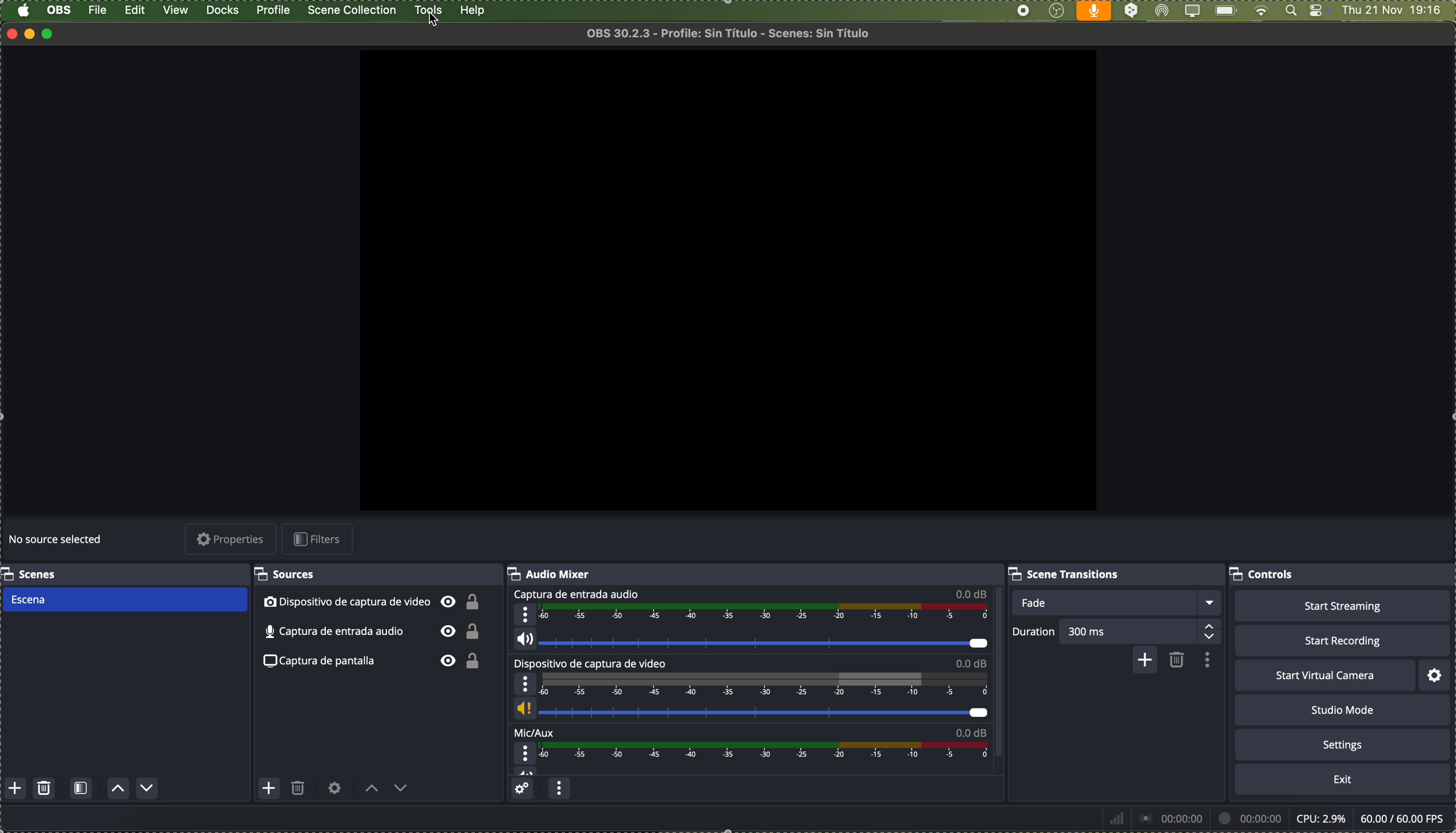 The height and width of the screenshot is (833, 1456). Describe the element at coordinates (747, 752) in the screenshot. I see `Mic/Aux` at that location.